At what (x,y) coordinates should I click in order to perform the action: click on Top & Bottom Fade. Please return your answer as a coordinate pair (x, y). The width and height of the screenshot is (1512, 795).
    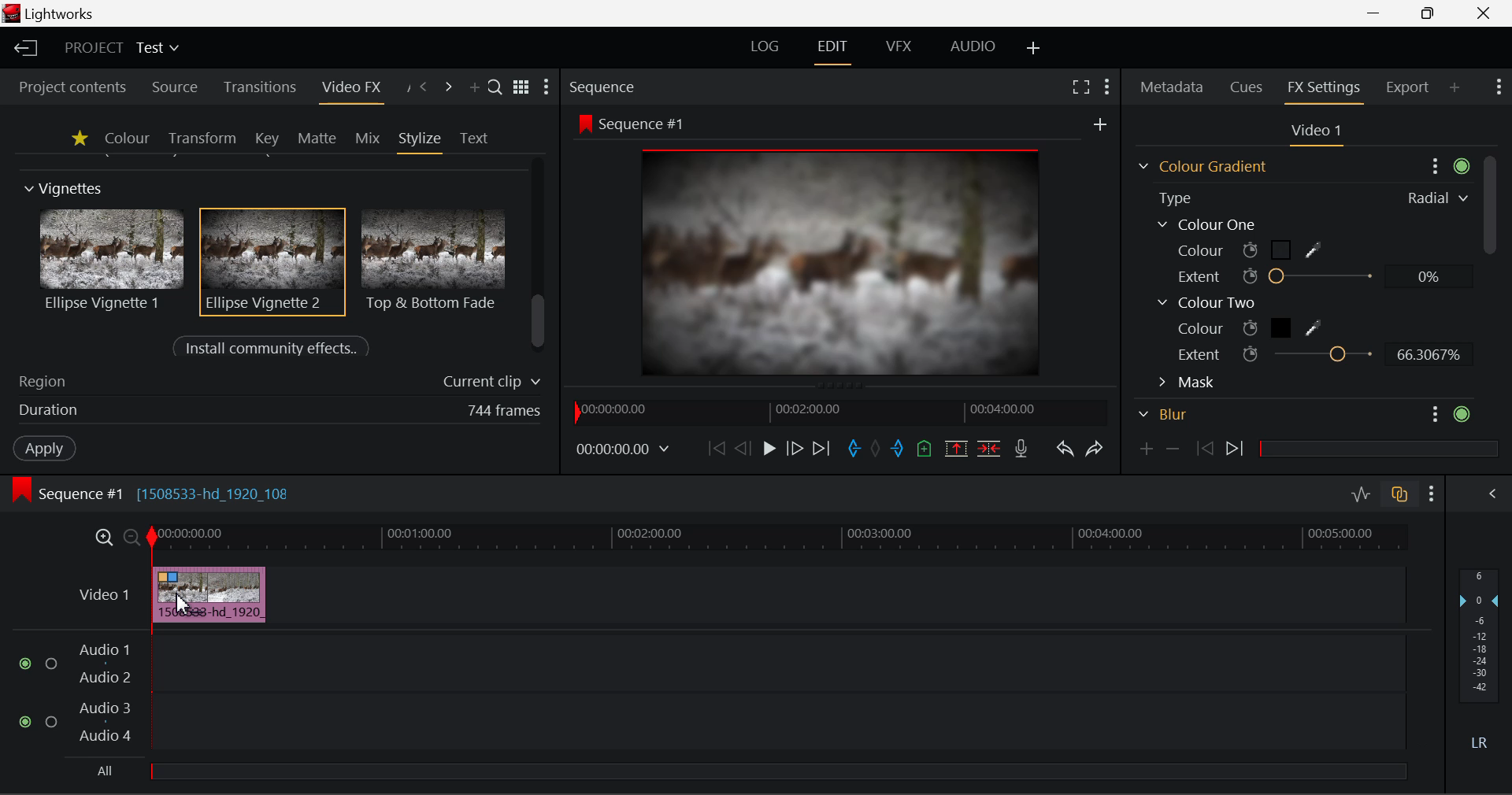
    Looking at the image, I should click on (435, 258).